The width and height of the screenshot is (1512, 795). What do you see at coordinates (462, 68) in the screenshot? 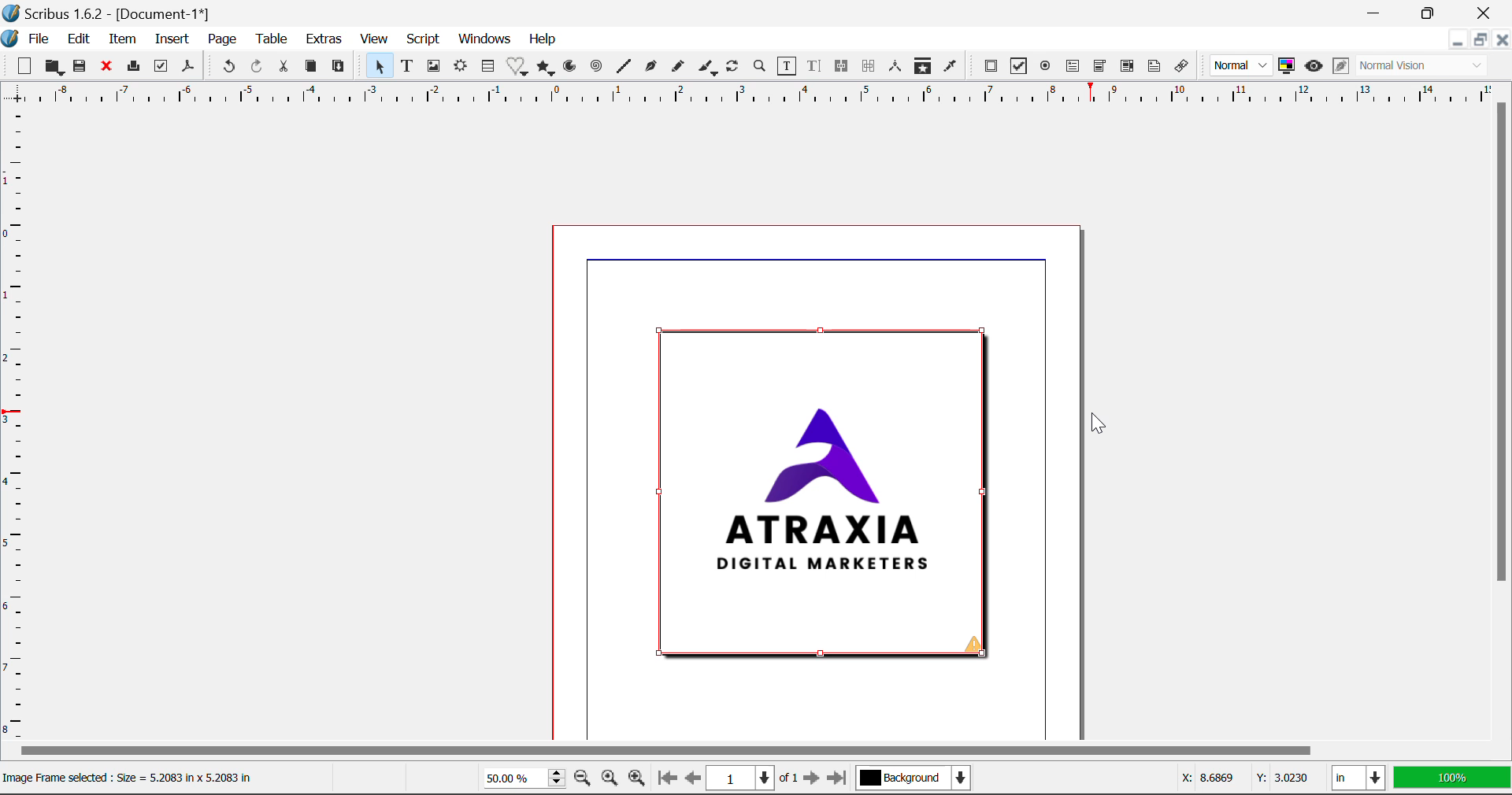
I see `Render Frame` at bounding box center [462, 68].